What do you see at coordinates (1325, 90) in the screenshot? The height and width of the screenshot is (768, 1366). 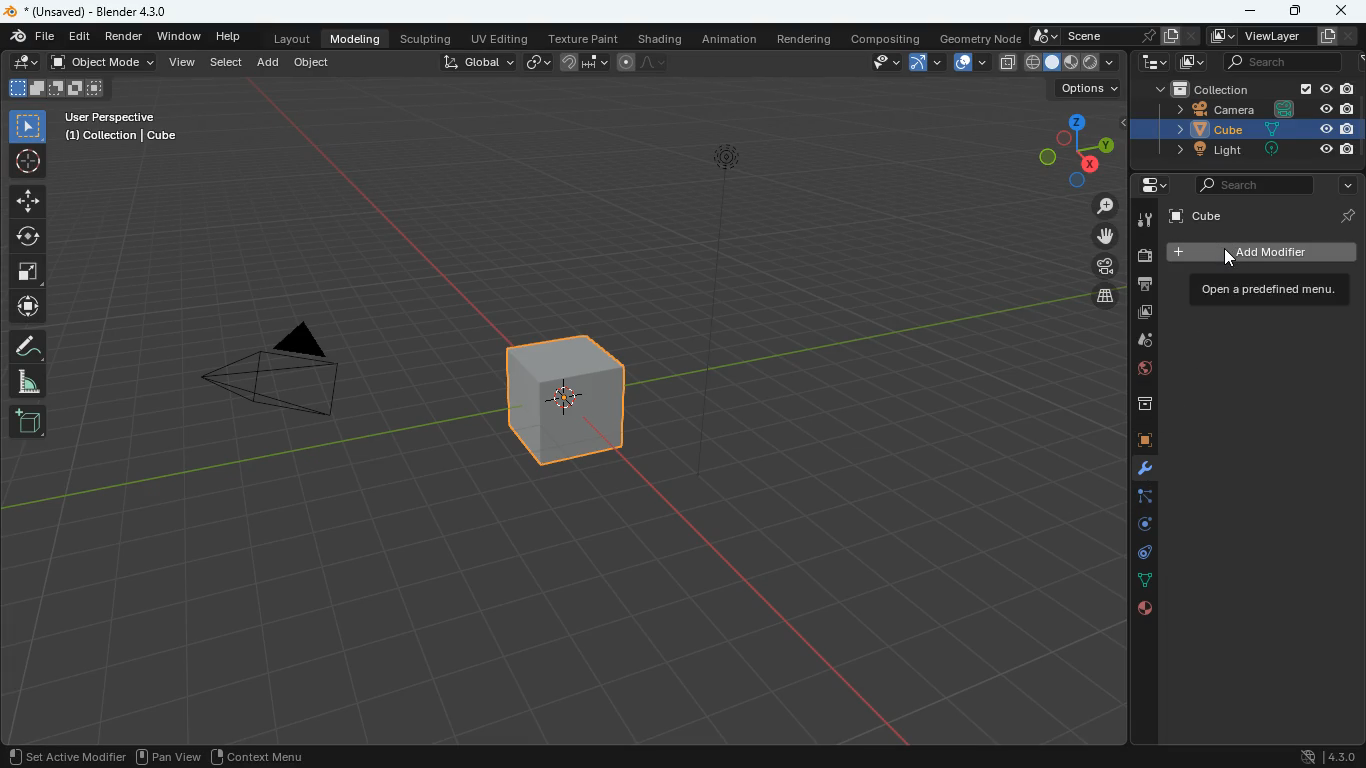 I see `` at bounding box center [1325, 90].